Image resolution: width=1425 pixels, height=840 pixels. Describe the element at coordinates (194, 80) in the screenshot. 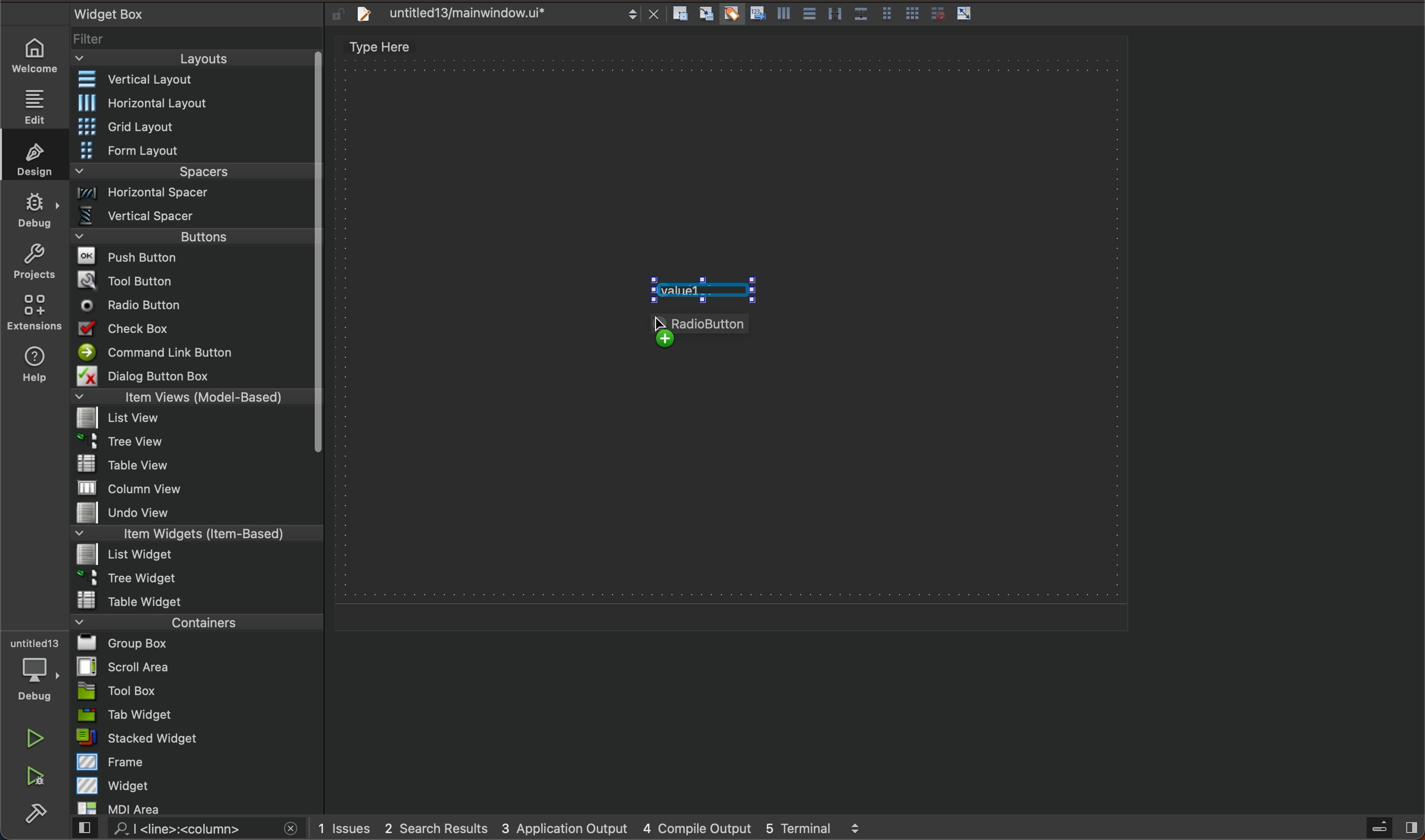

I see `Vertical layout ` at that location.